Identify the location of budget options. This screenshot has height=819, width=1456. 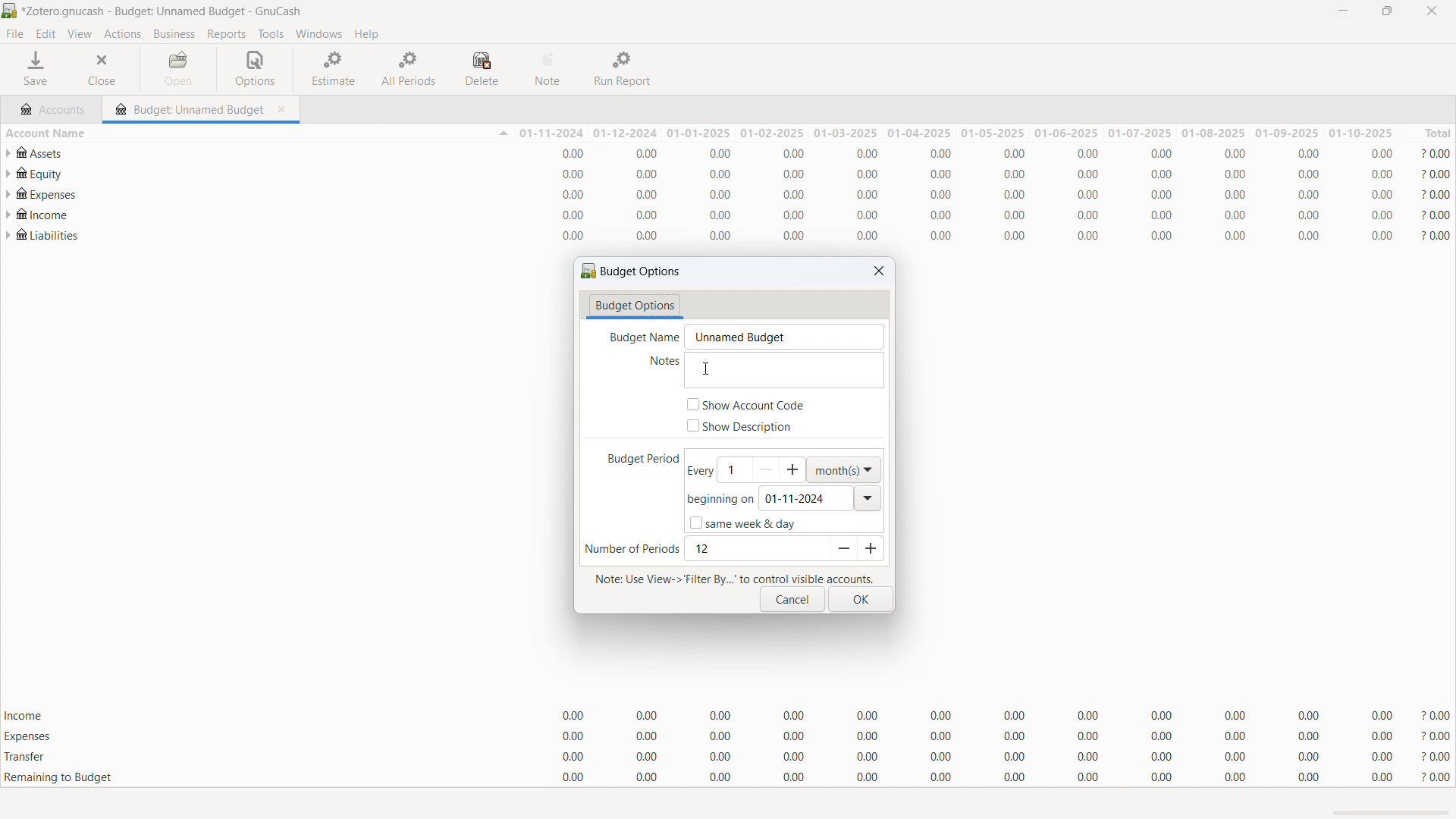
(632, 271).